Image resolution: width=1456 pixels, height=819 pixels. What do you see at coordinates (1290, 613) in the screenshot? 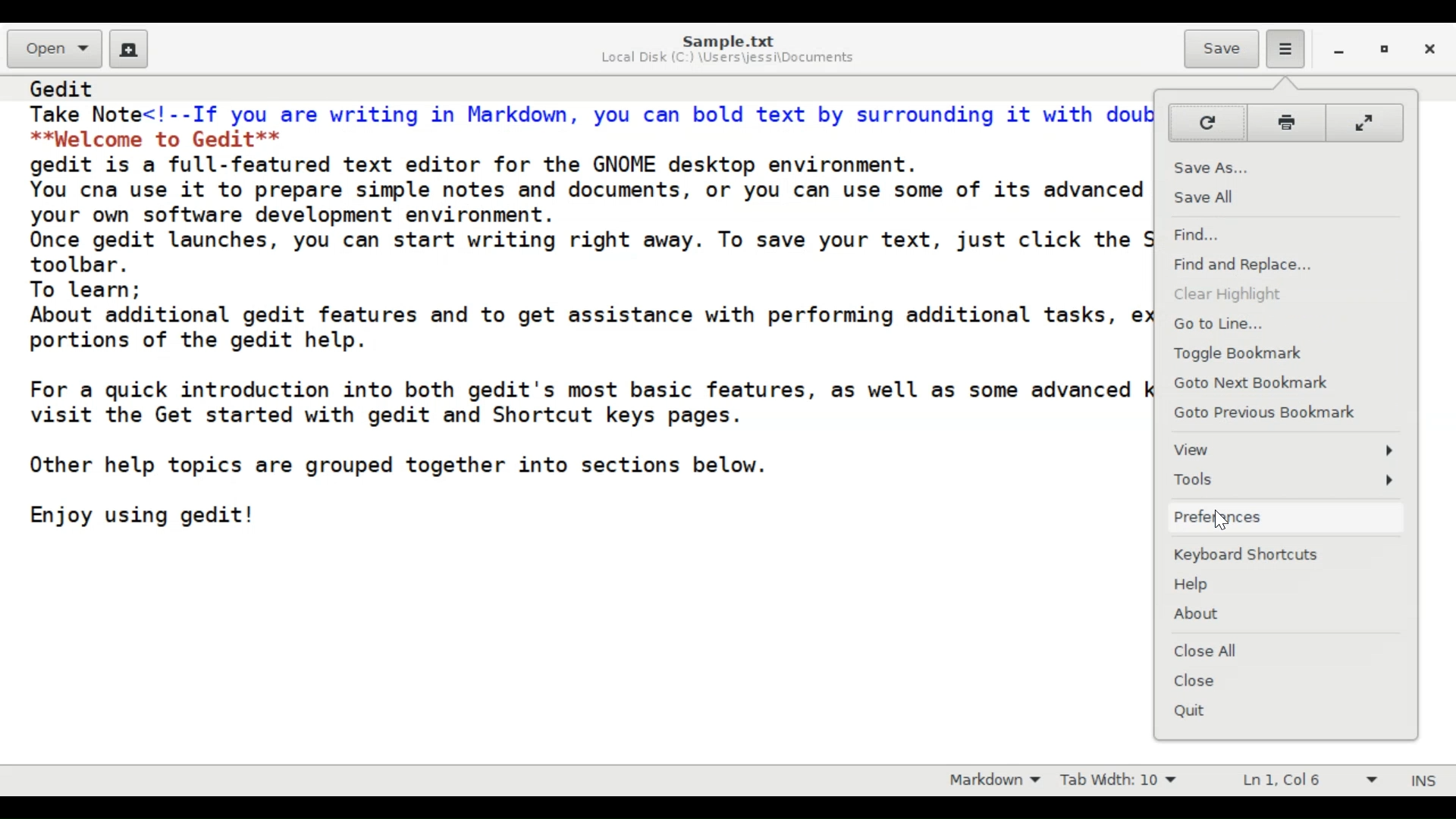
I see `About` at bounding box center [1290, 613].